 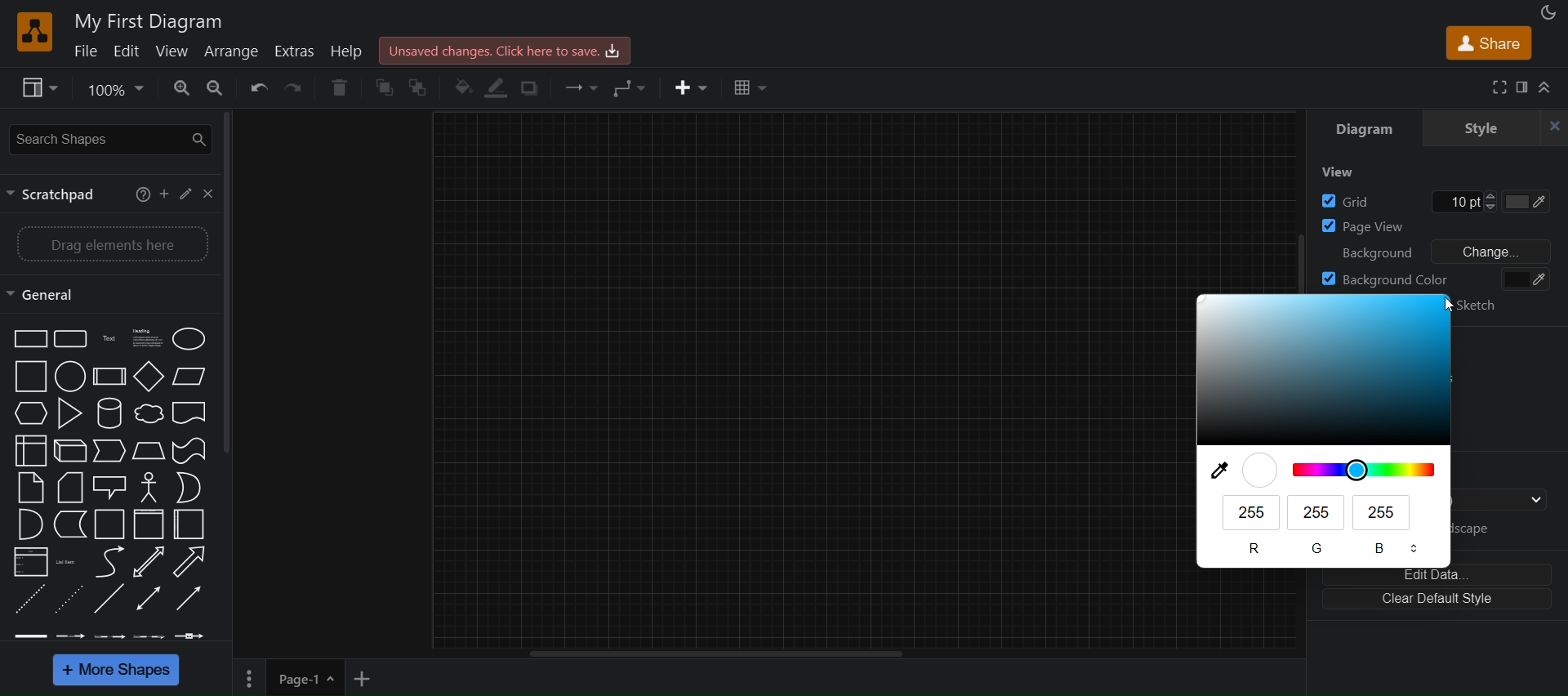 I want to click on file, so click(x=87, y=53).